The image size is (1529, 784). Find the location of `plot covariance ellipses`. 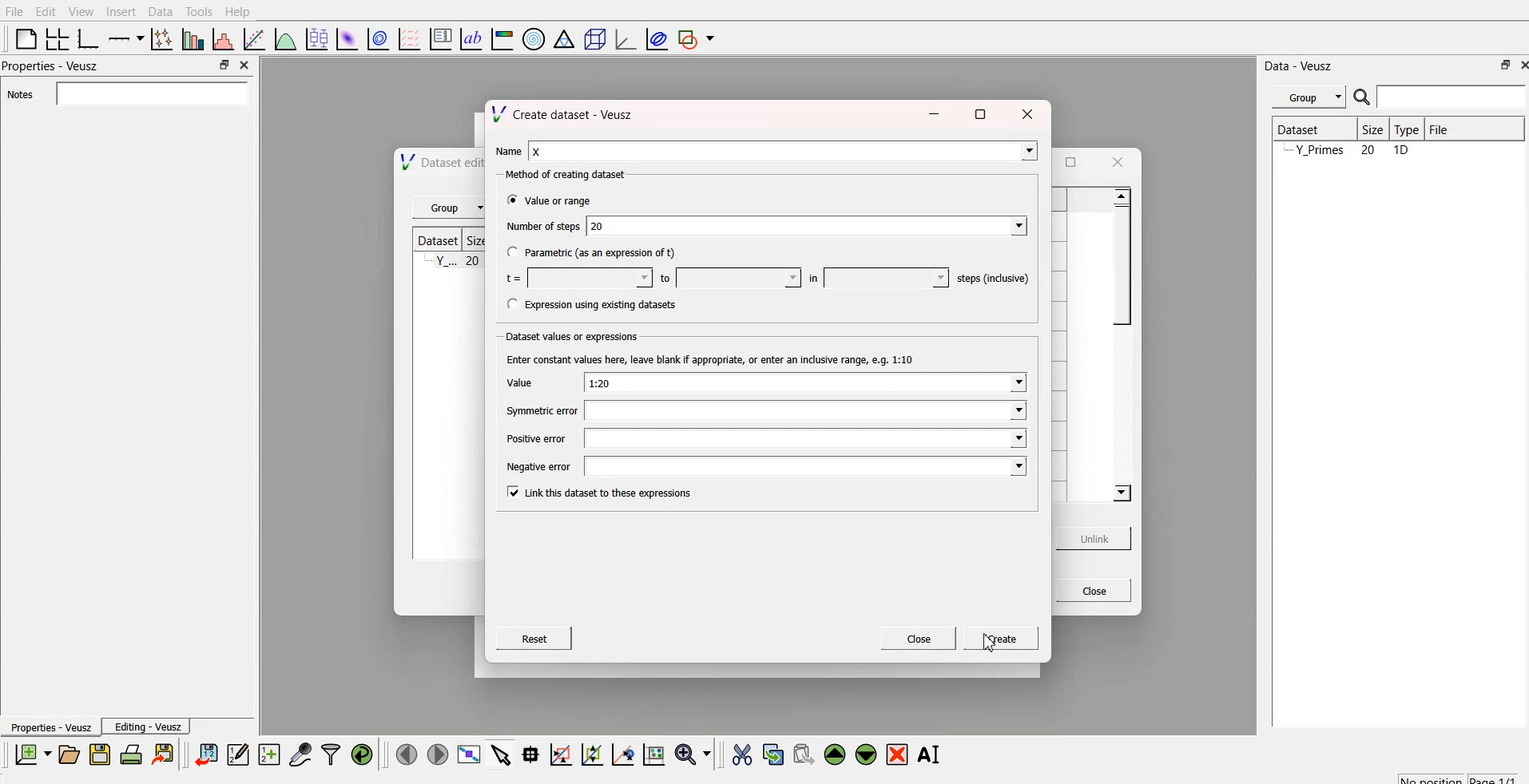

plot covariance ellipses is located at coordinates (657, 38).